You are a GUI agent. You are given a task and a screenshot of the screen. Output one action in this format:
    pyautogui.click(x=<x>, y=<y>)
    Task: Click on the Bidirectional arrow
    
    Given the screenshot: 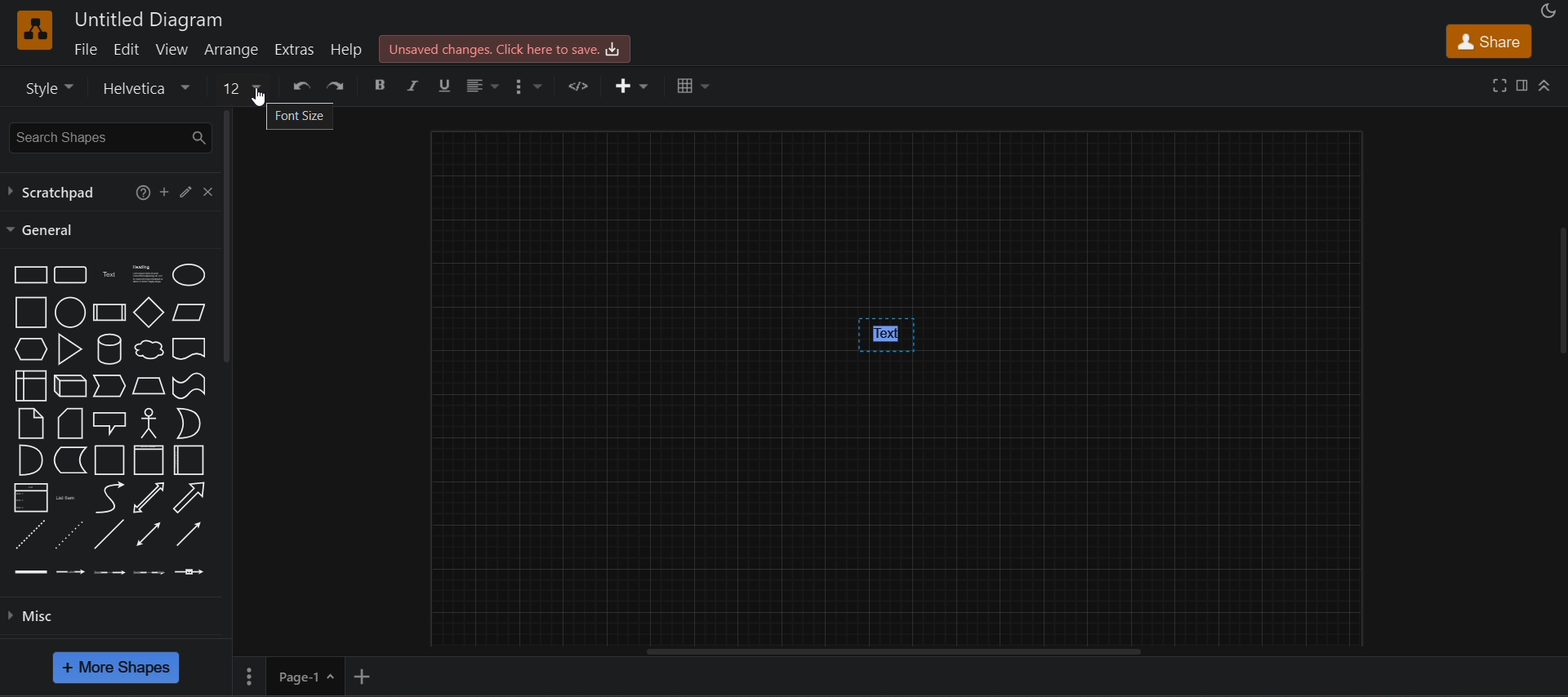 What is the action you would take?
    pyautogui.click(x=149, y=497)
    